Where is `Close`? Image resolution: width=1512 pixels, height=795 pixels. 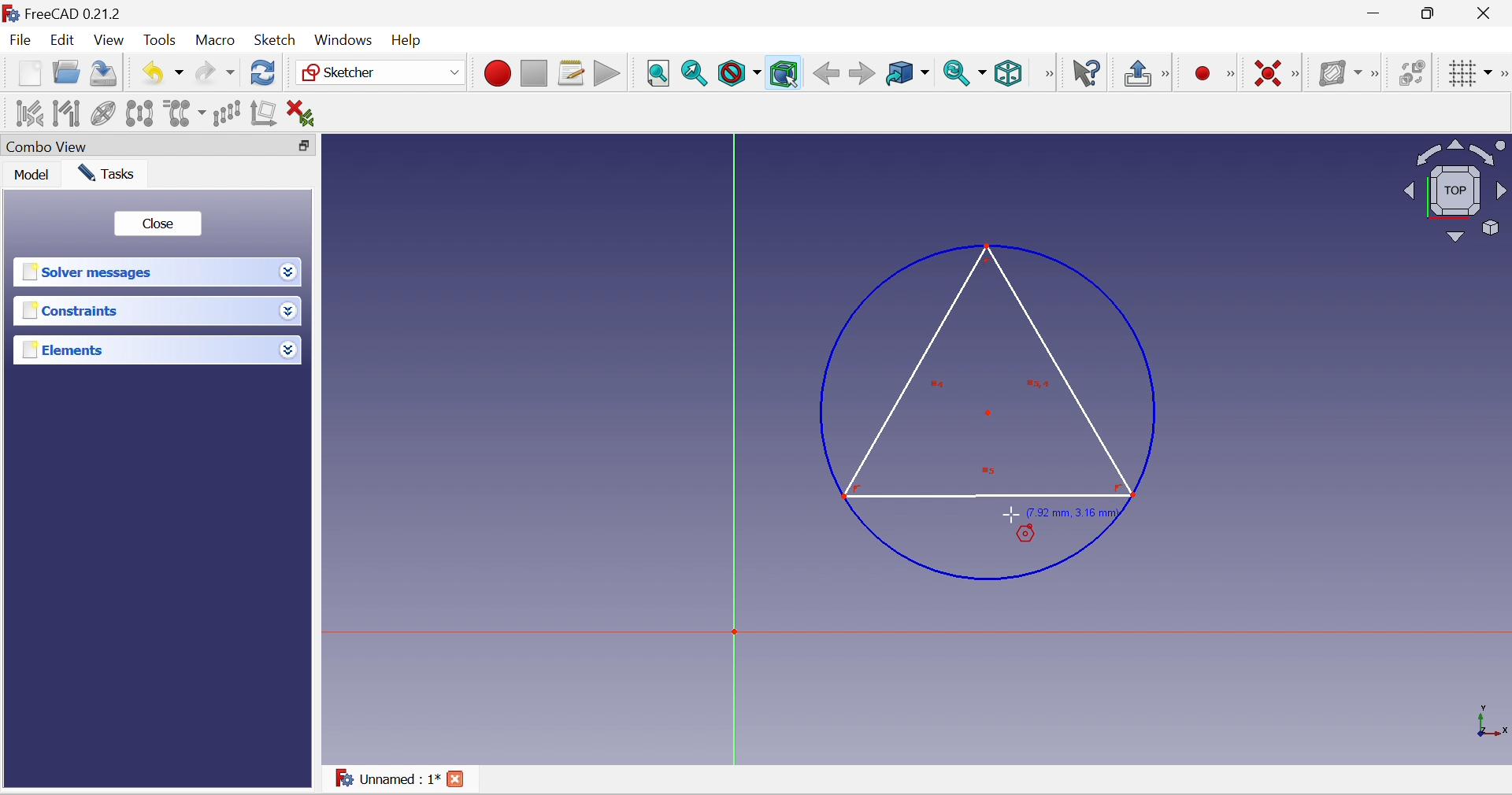
Close is located at coordinates (454, 778).